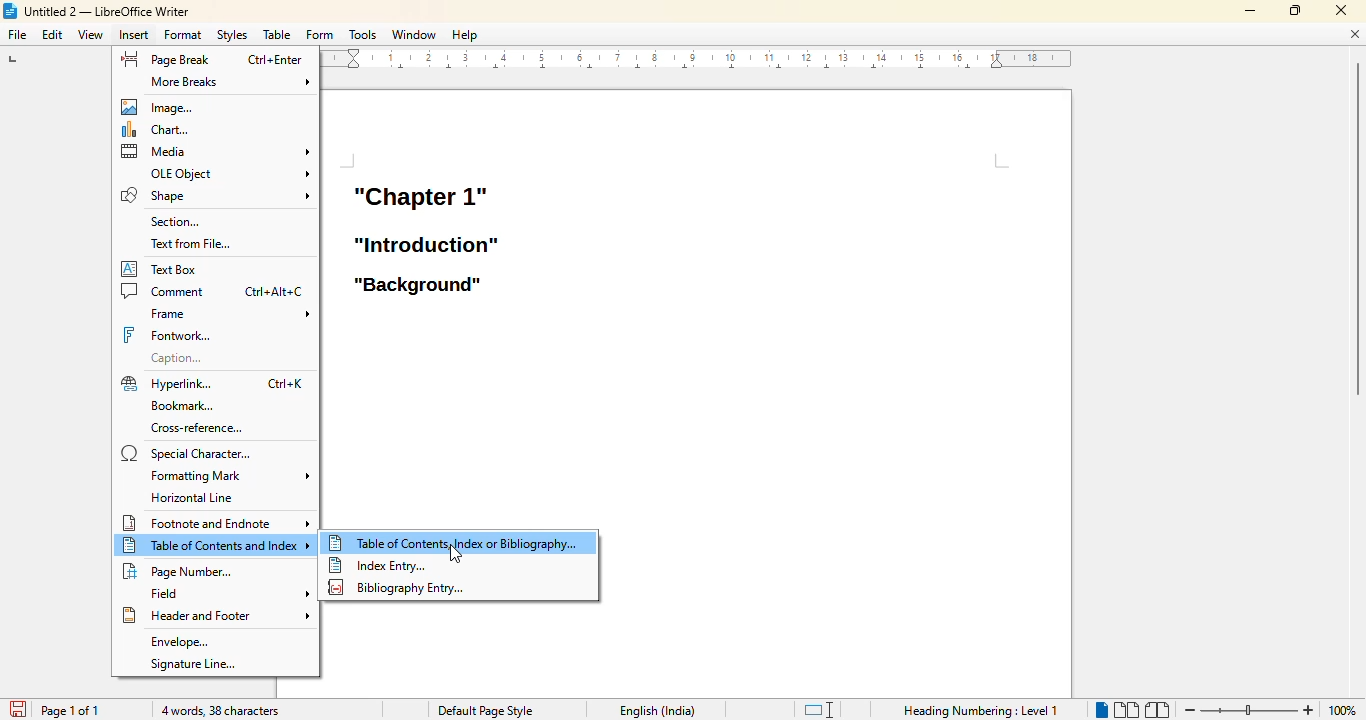 This screenshot has width=1366, height=720. Describe the element at coordinates (320, 35) in the screenshot. I see `form` at that location.